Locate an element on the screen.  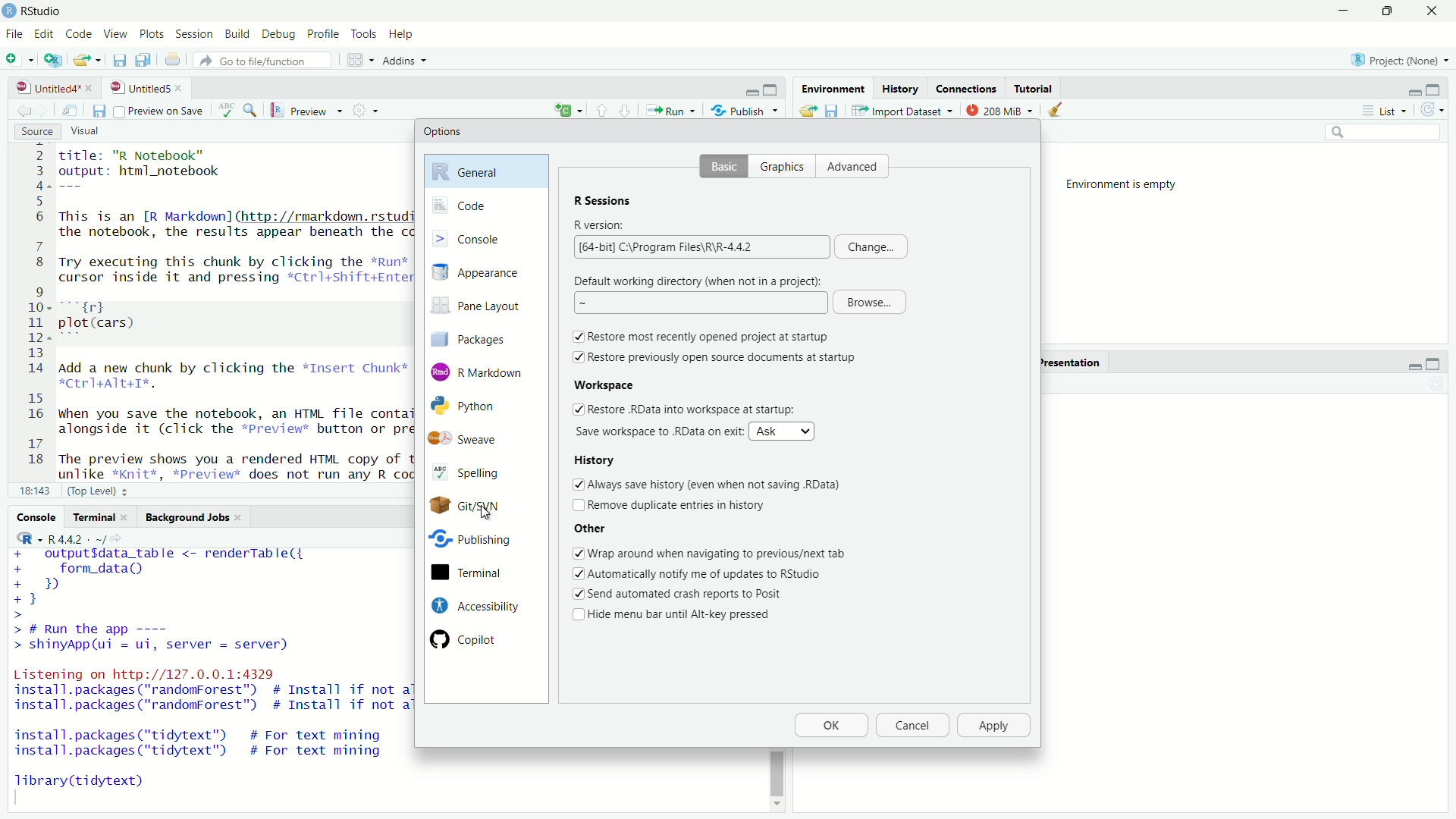
Publish is located at coordinates (745, 109).